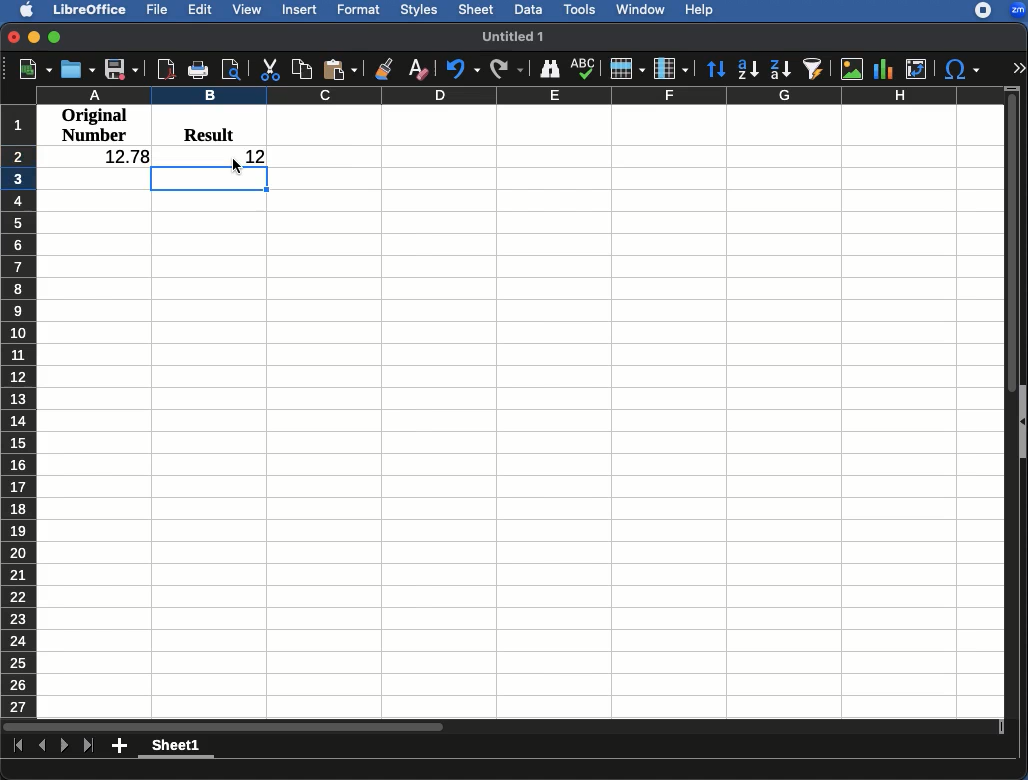  Describe the element at coordinates (916, 69) in the screenshot. I see `Pivot table` at that location.